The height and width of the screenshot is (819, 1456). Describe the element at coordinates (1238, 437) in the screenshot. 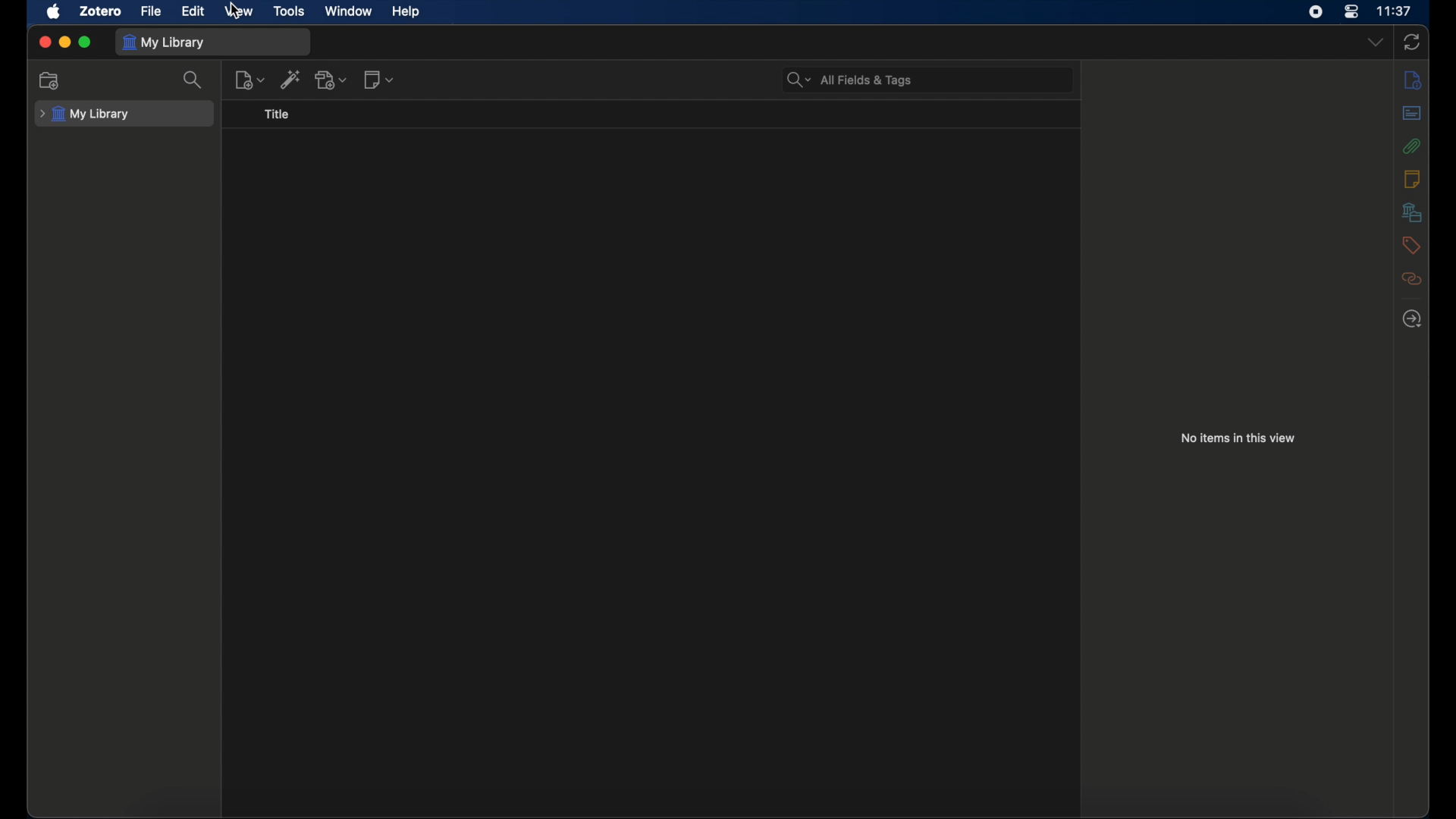

I see `no items in this view` at that location.